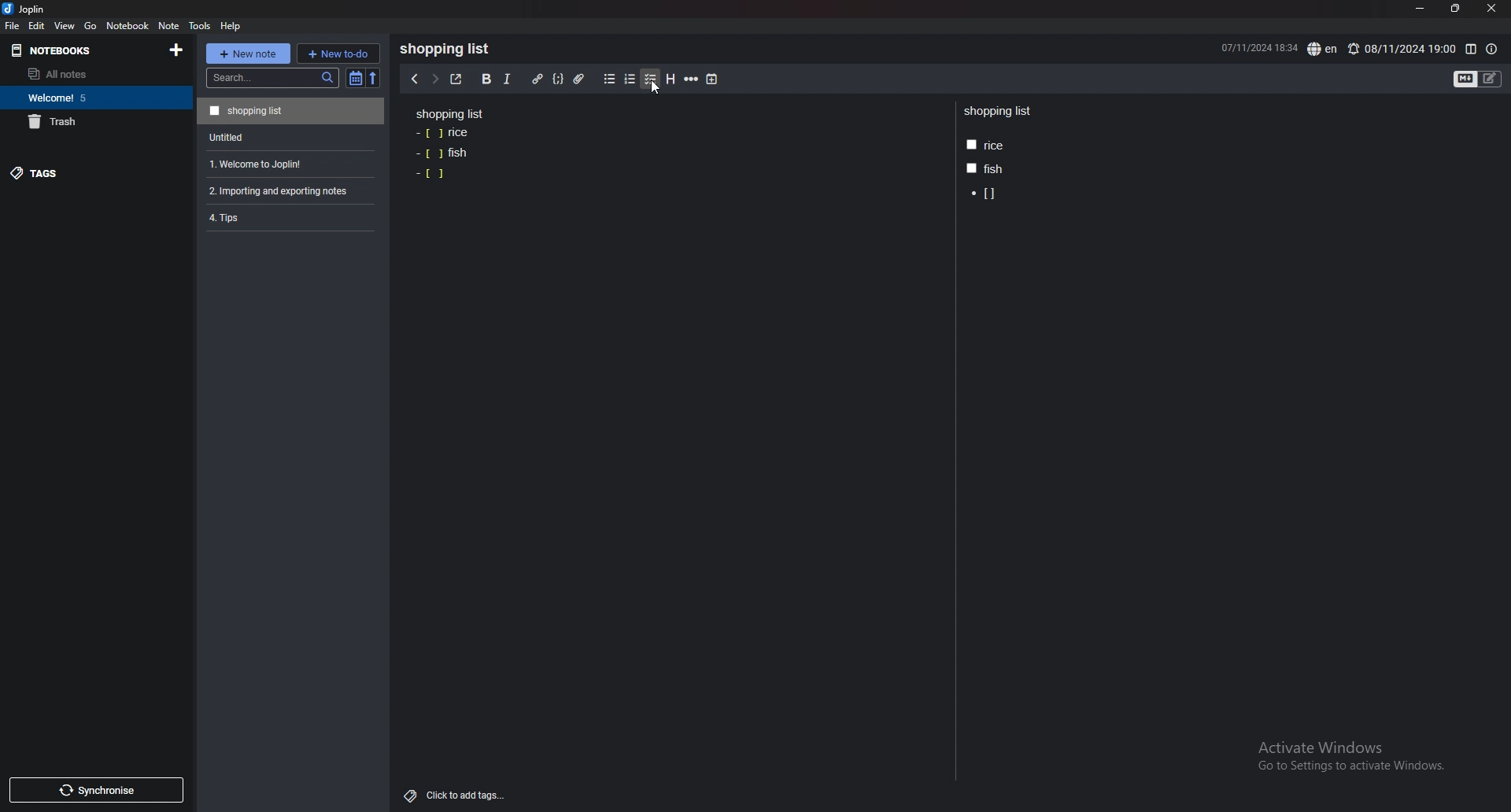 This screenshot has width=1511, height=812. Describe the element at coordinates (272, 78) in the screenshot. I see `search bar` at that location.